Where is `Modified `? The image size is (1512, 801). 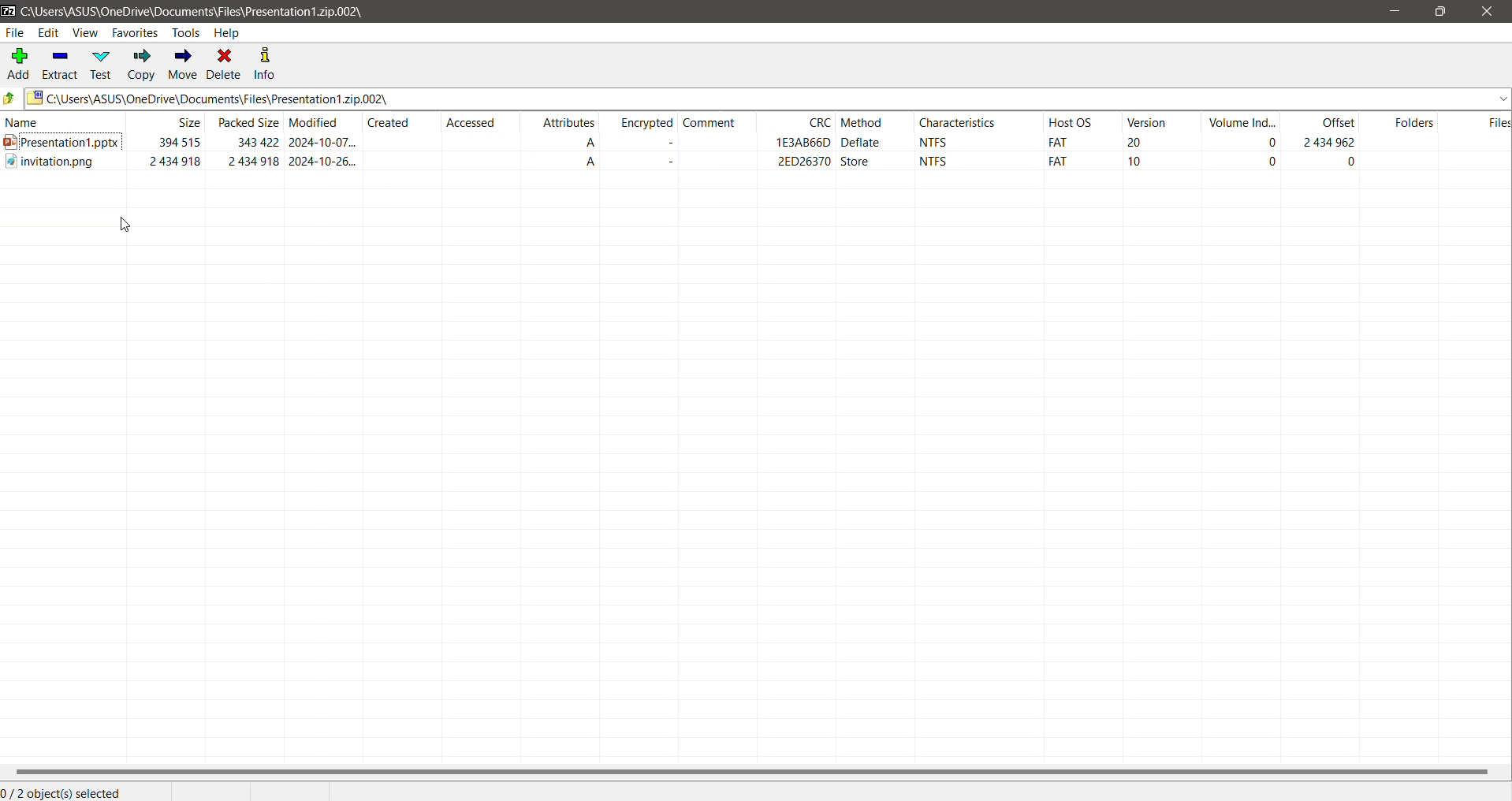 Modified  is located at coordinates (323, 120).